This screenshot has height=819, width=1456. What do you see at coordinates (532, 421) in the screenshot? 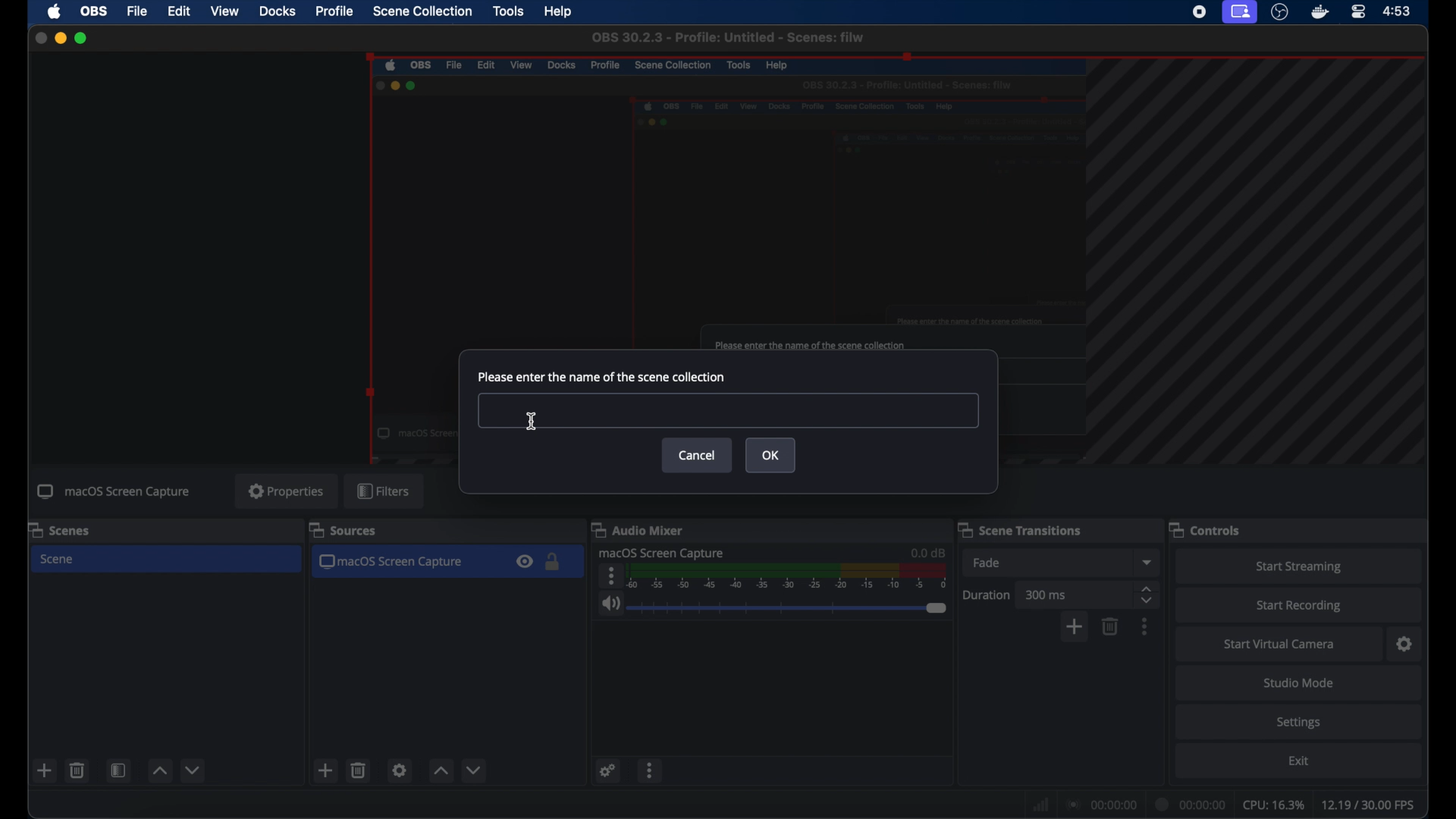
I see `I beam cursor` at bounding box center [532, 421].